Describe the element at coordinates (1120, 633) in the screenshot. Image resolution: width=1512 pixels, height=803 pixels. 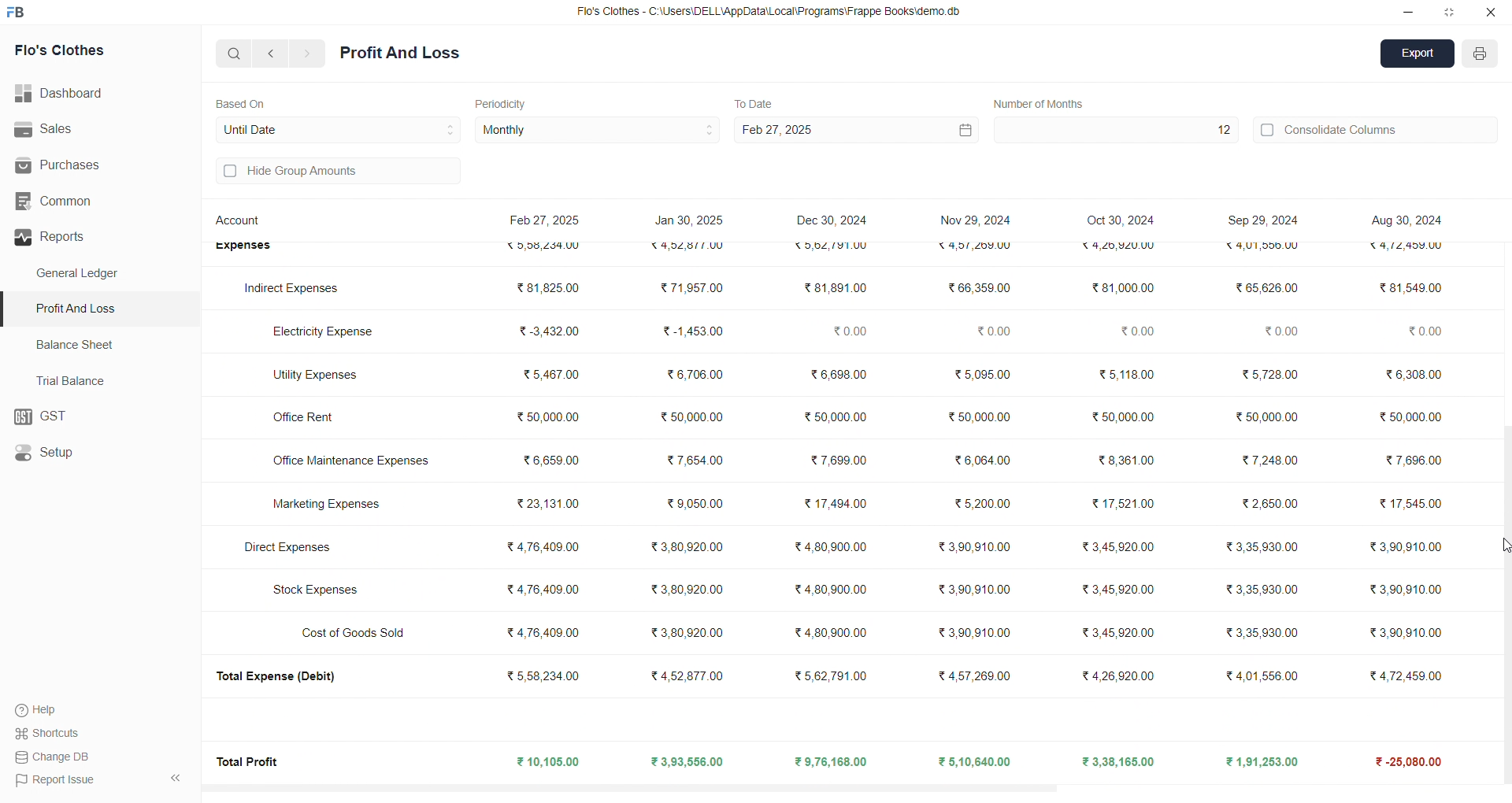
I see `₹3,45,920.00` at that location.